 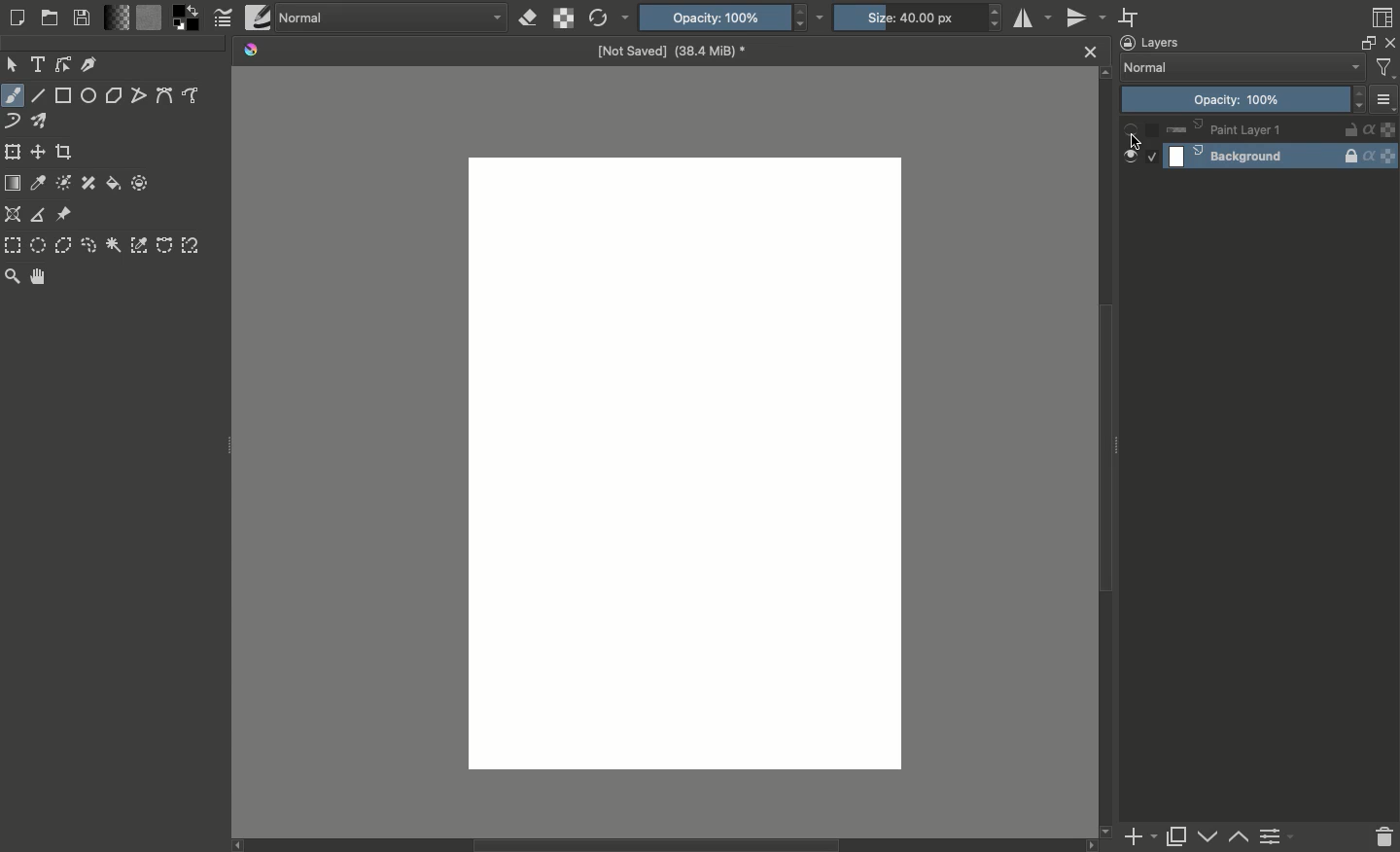 I want to click on Vertical mirror tool, so click(x=1084, y=18).